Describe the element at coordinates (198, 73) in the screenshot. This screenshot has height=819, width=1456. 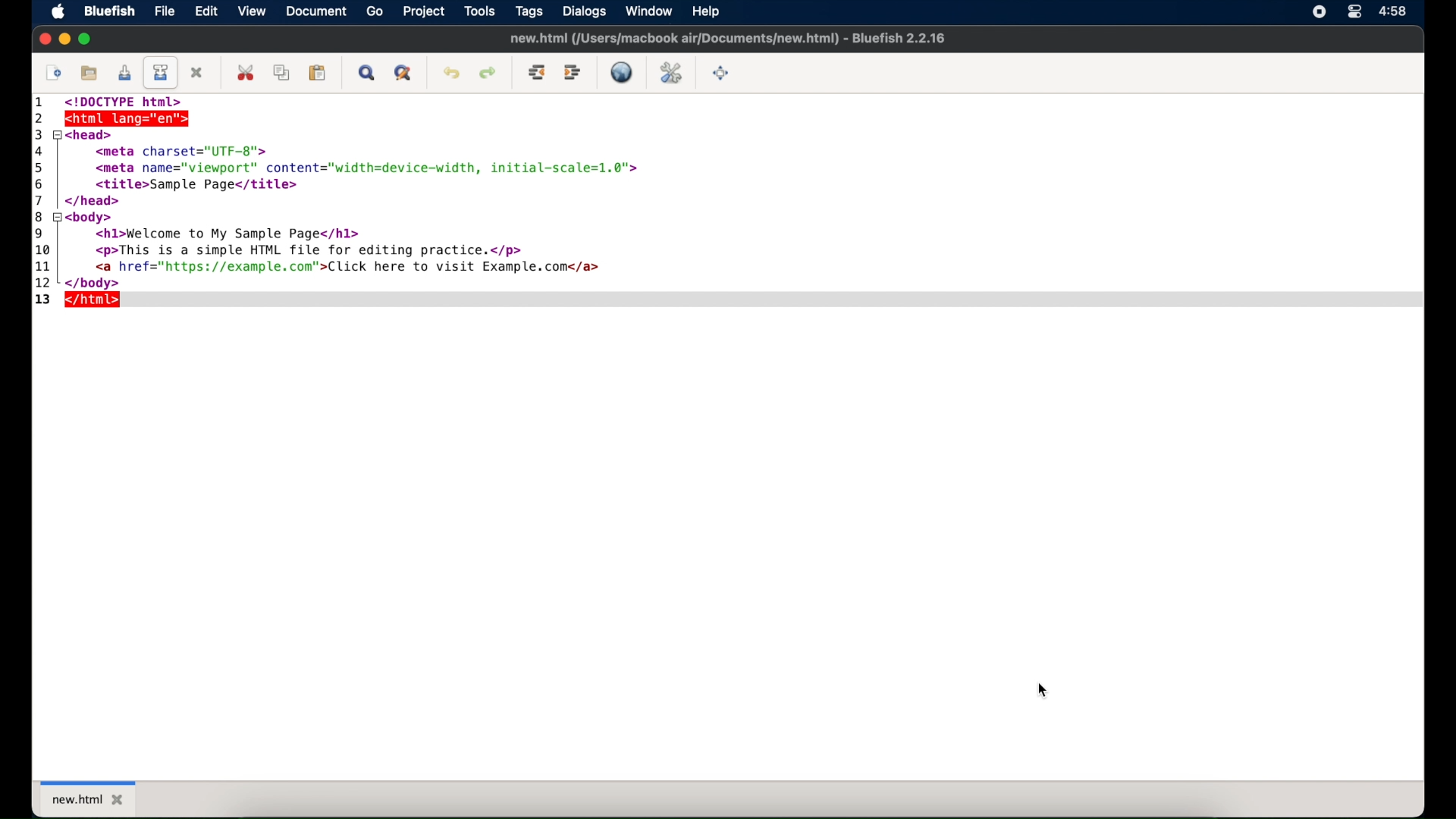
I see `close` at that location.